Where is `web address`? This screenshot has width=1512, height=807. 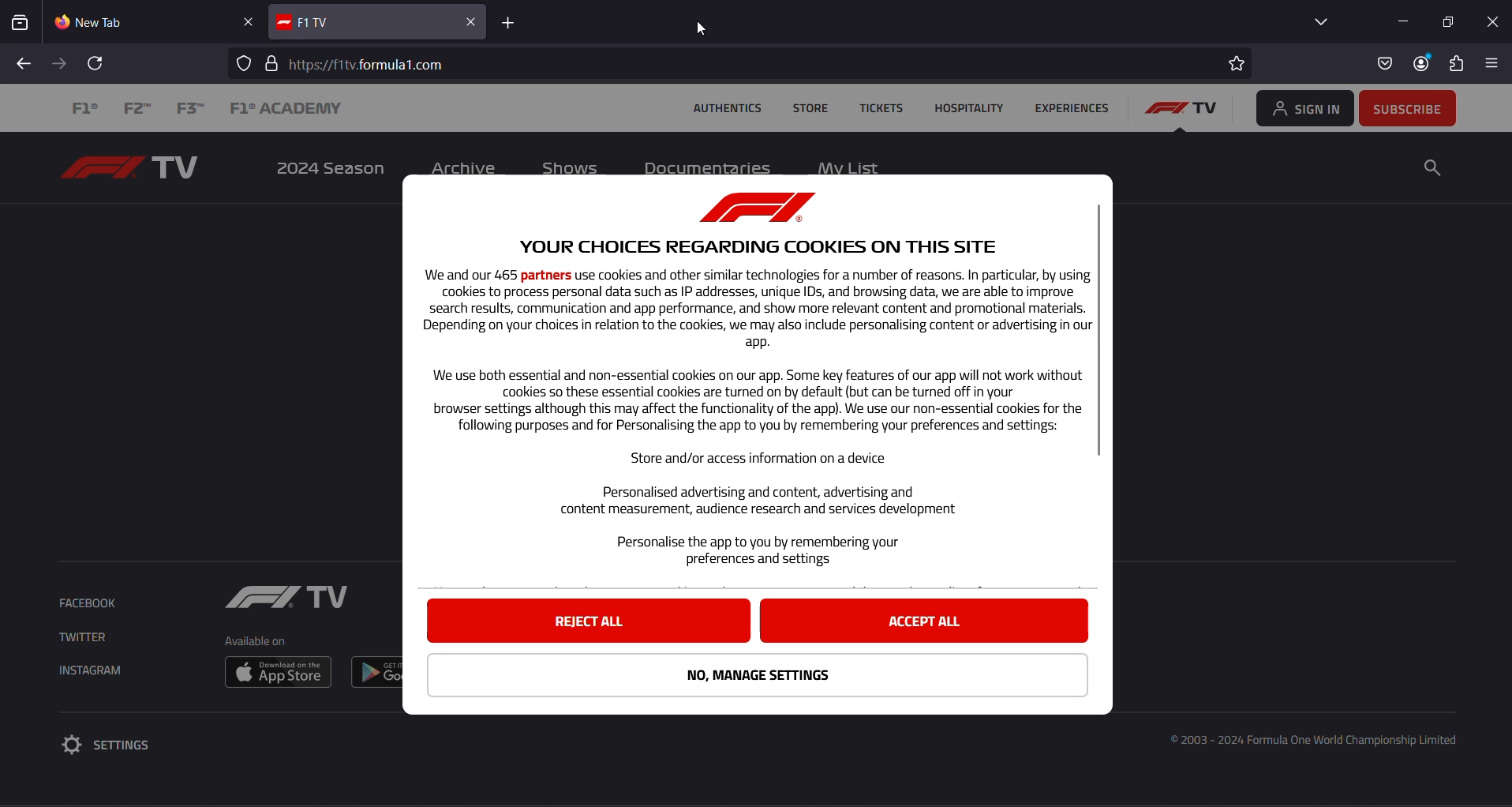
web address is located at coordinates (372, 61).